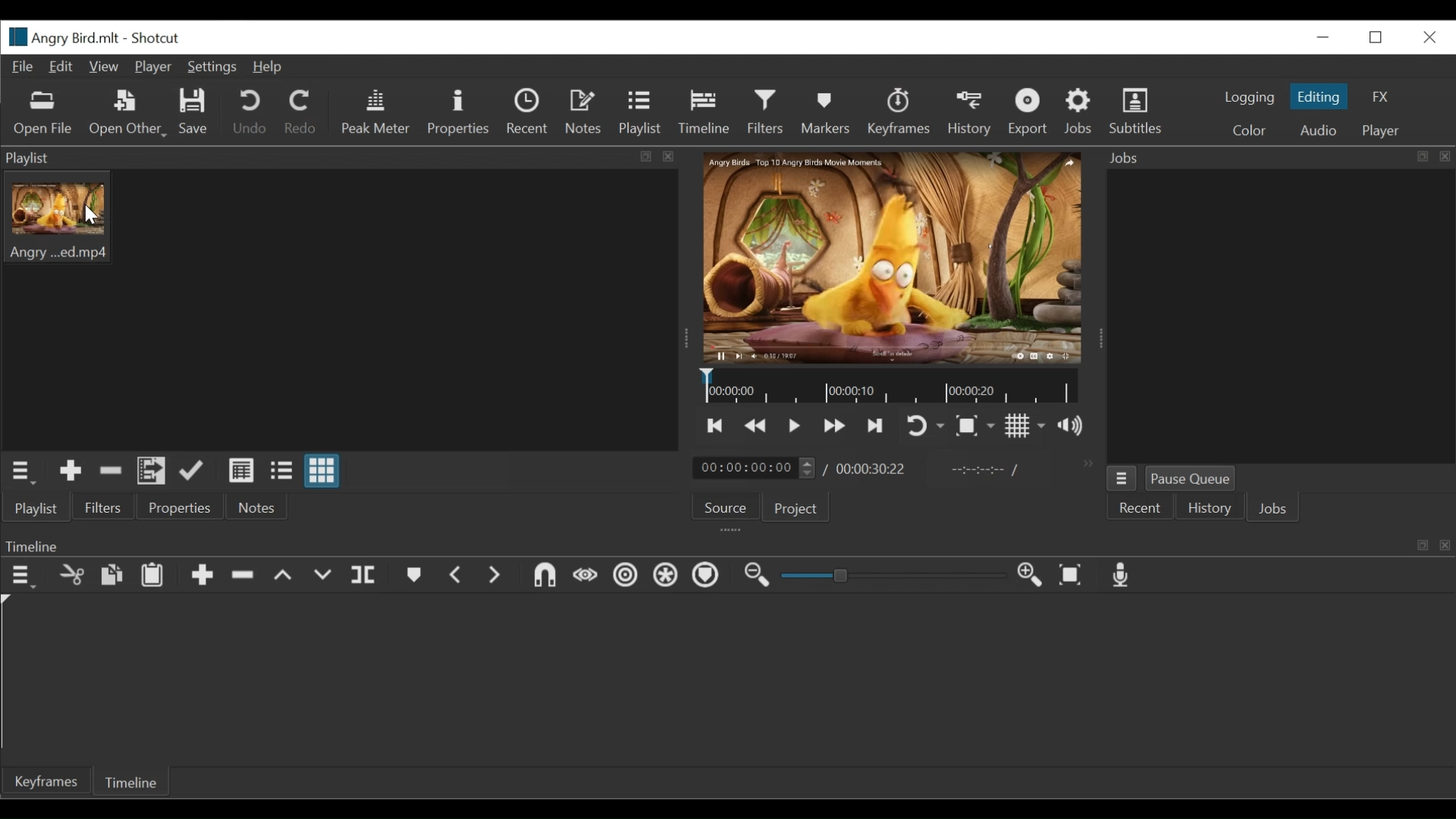  I want to click on logging, so click(1248, 99).